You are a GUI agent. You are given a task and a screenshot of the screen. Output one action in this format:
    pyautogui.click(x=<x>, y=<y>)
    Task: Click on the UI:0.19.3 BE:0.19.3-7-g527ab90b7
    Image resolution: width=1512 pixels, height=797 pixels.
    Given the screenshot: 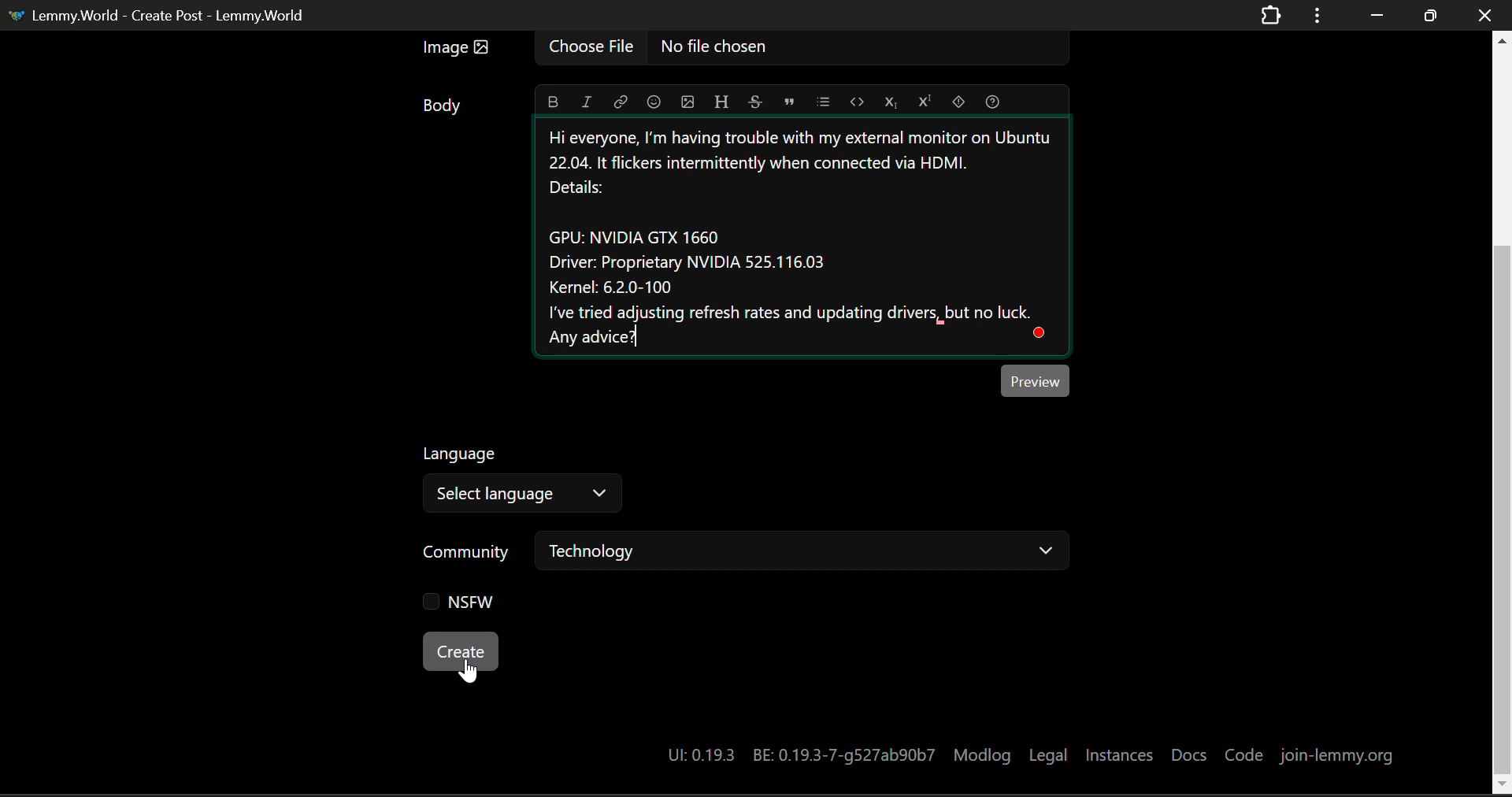 What is the action you would take?
    pyautogui.click(x=797, y=754)
    